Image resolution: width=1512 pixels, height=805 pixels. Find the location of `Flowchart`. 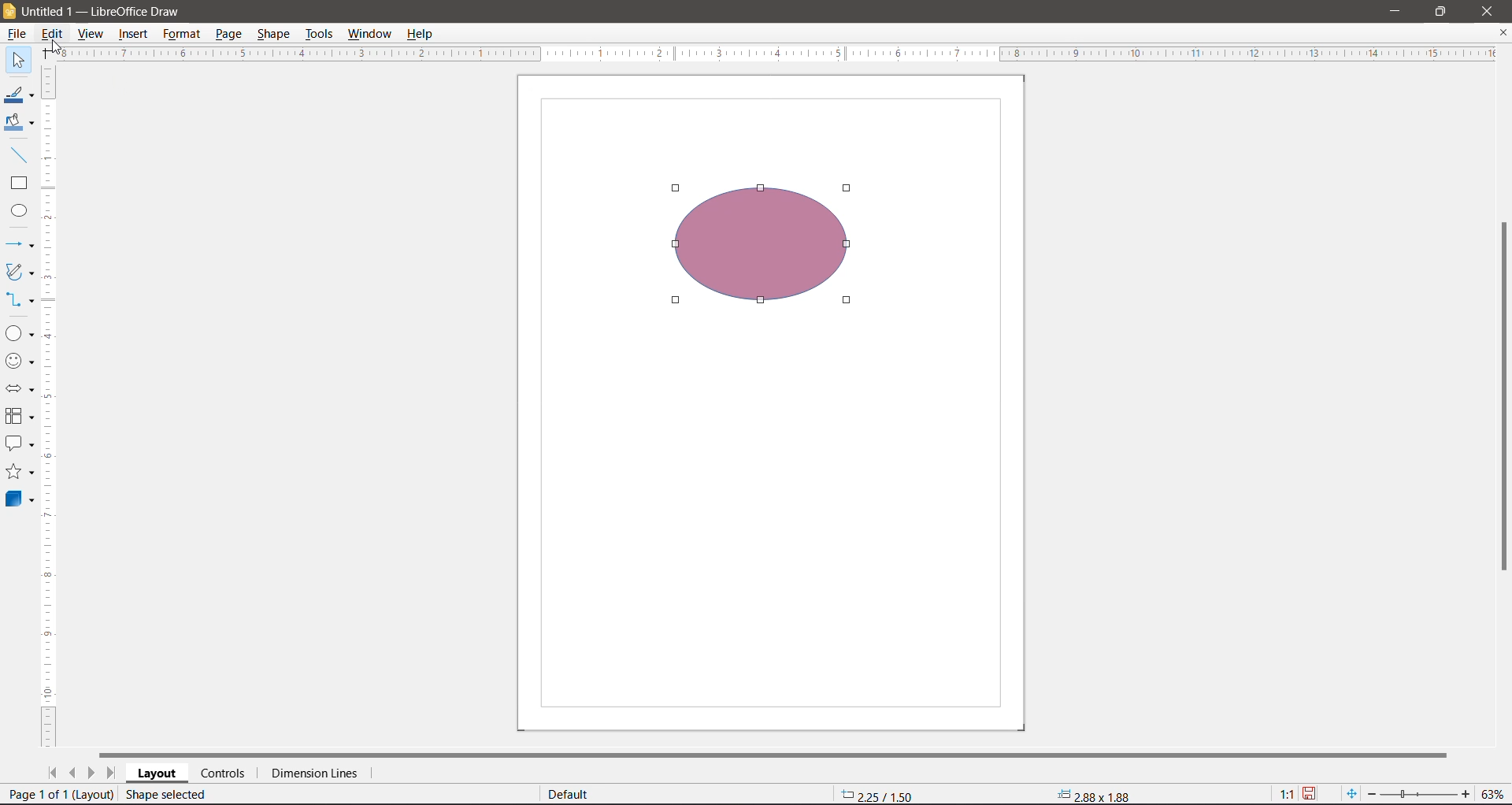

Flowchart is located at coordinates (20, 416).